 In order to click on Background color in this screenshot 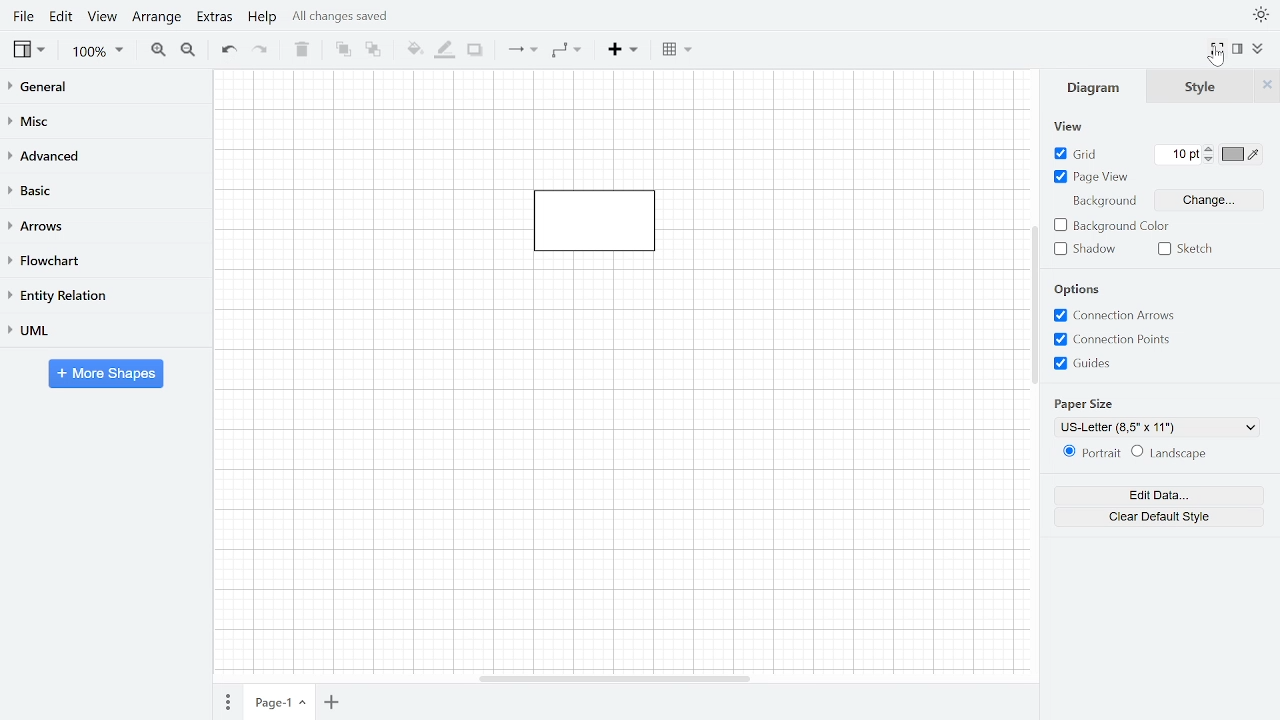, I will do `click(1116, 228)`.